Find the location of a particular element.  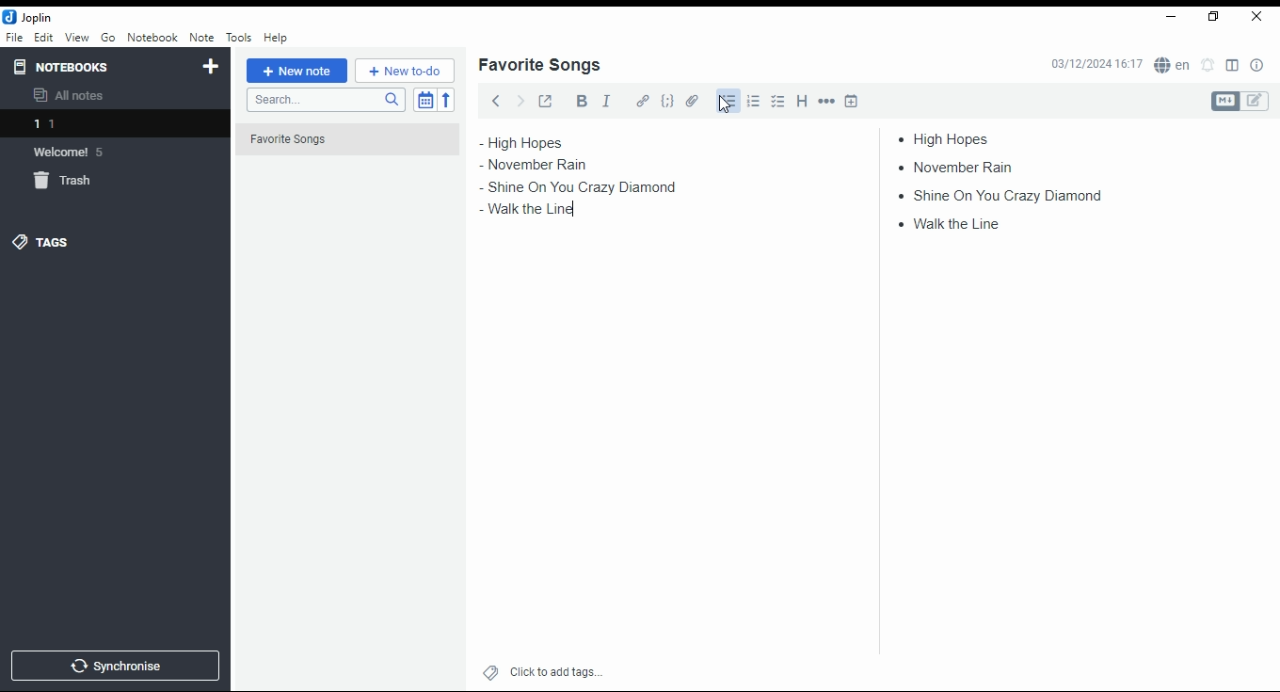

edit is located at coordinates (43, 36).